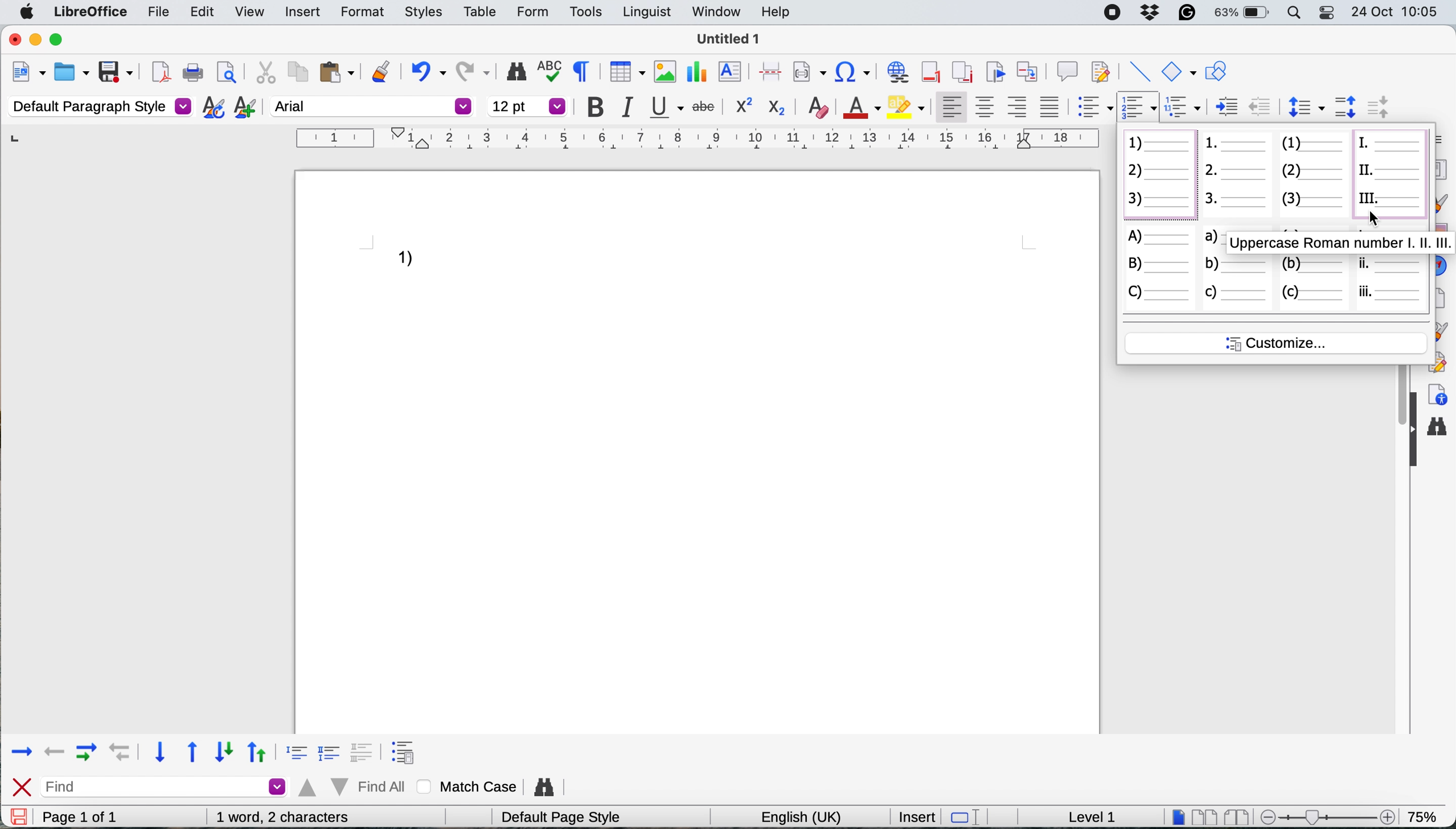 This screenshot has width=1456, height=829. What do you see at coordinates (699, 141) in the screenshot?
I see `horizontal scale` at bounding box center [699, 141].